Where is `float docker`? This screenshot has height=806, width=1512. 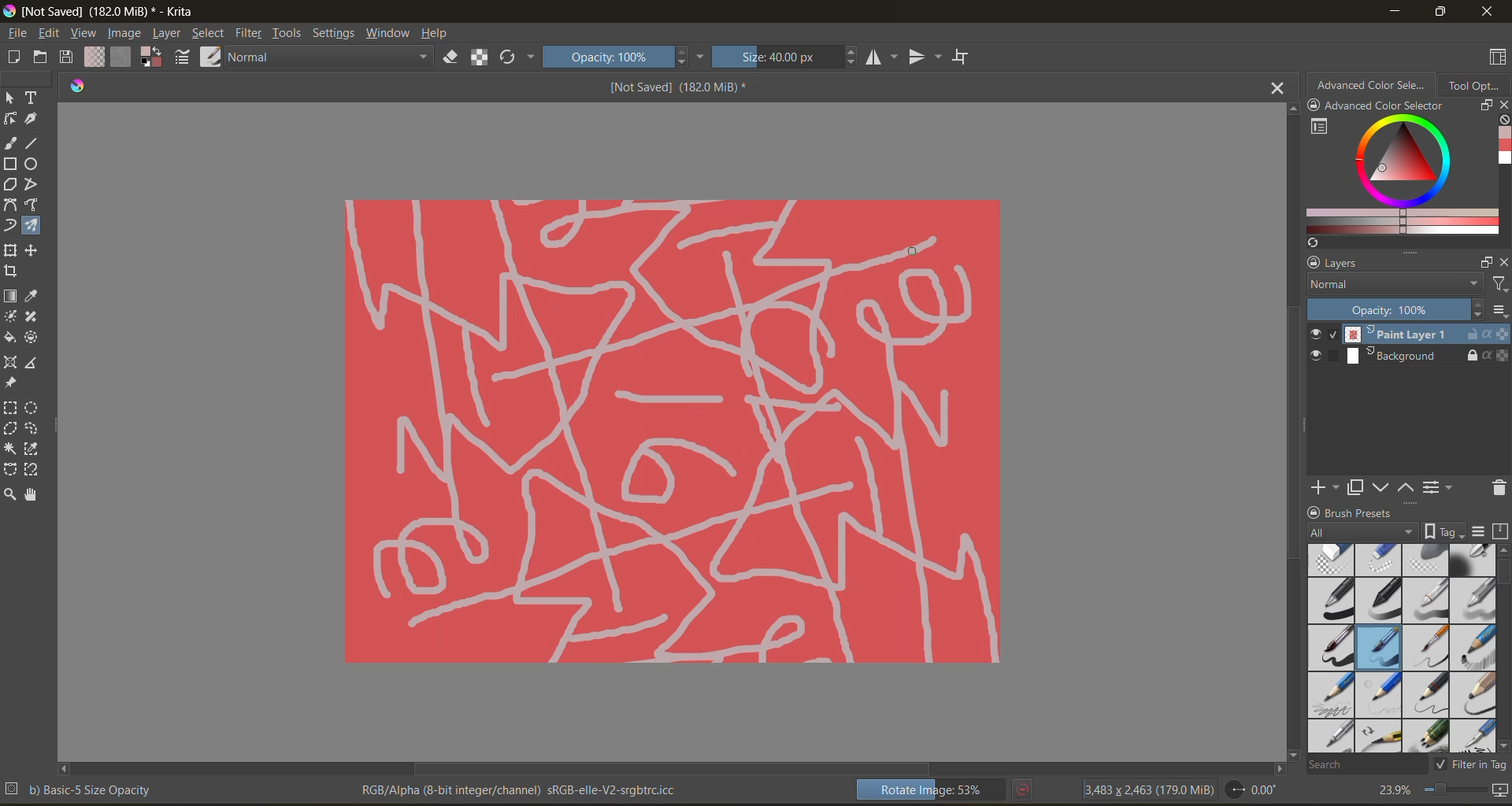 float docker is located at coordinates (1484, 262).